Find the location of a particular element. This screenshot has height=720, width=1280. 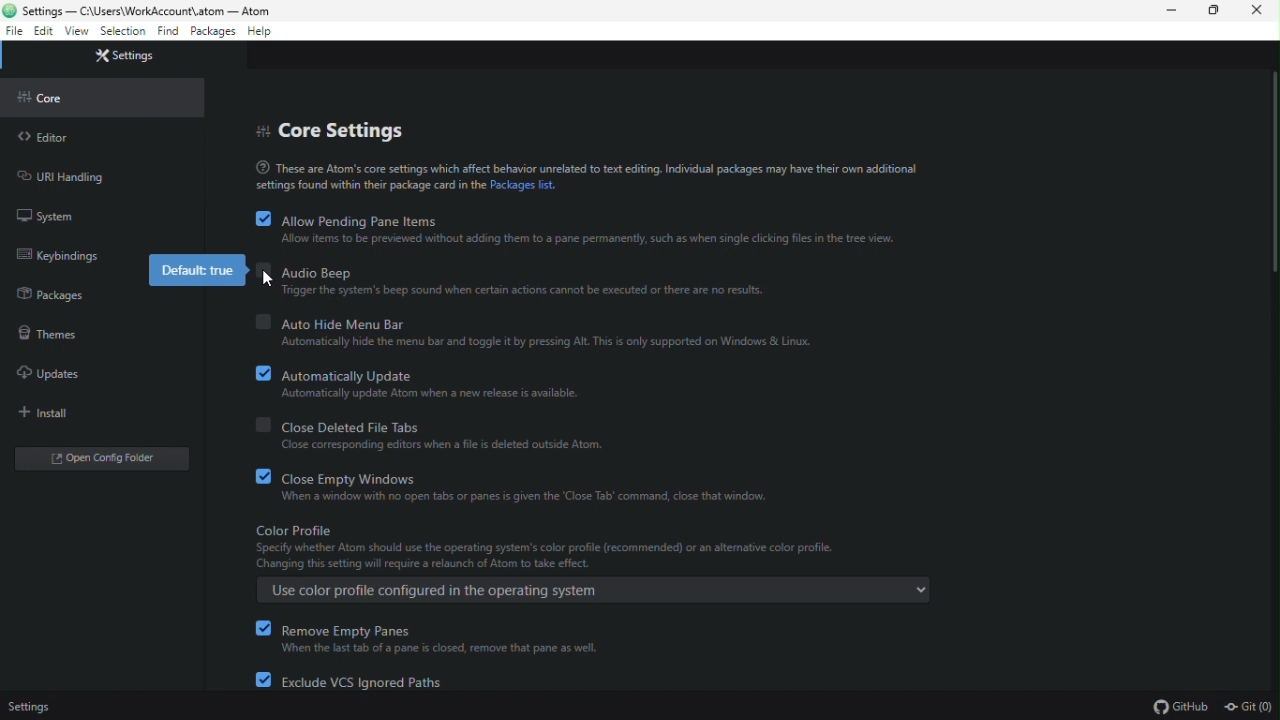

allow pending pane items is located at coordinates (347, 221).